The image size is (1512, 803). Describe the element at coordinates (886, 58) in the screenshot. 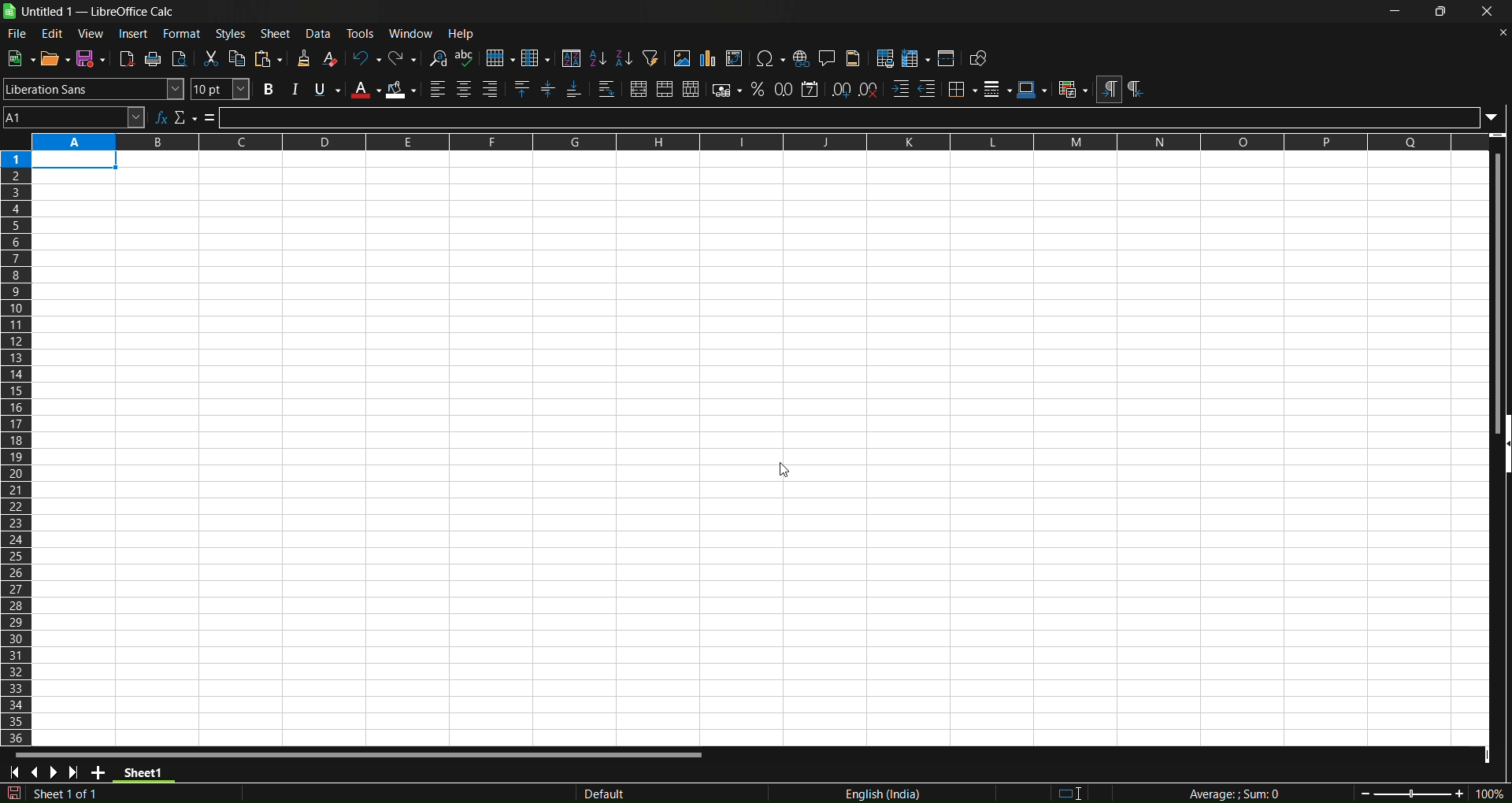

I see `define print area` at that location.